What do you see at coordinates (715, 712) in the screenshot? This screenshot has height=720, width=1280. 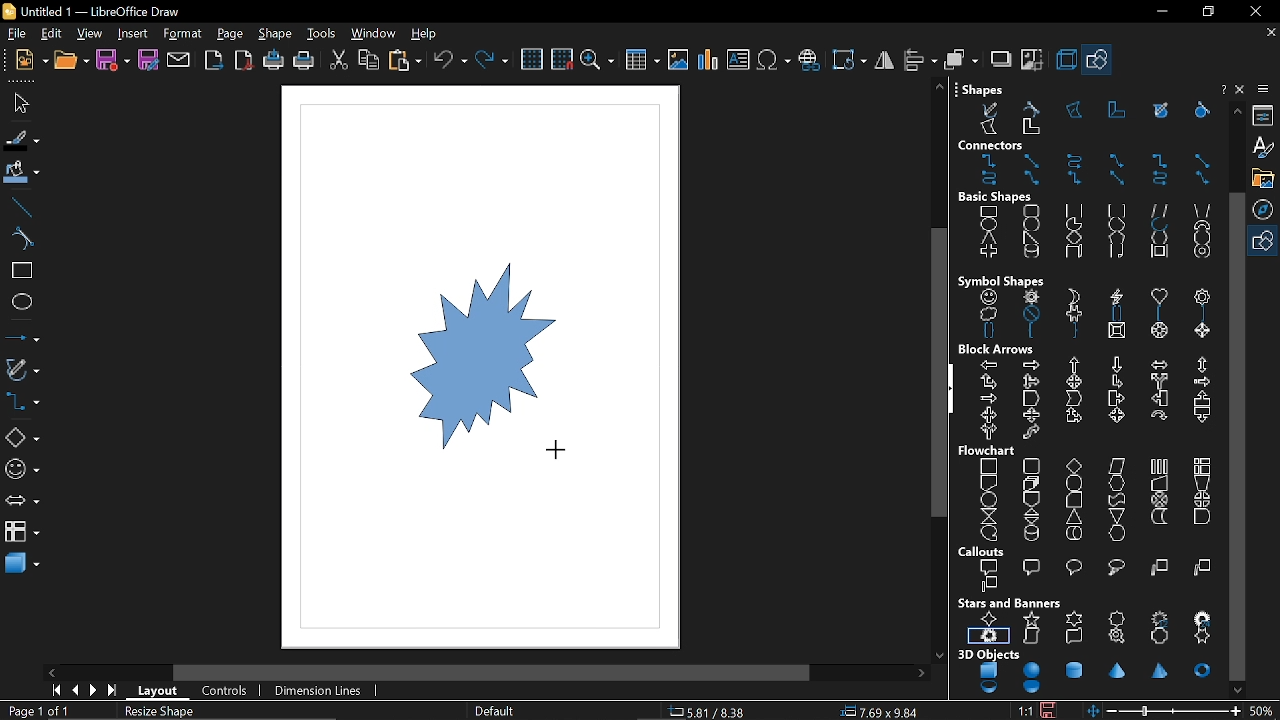 I see `co-ordinate` at bounding box center [715, 712].